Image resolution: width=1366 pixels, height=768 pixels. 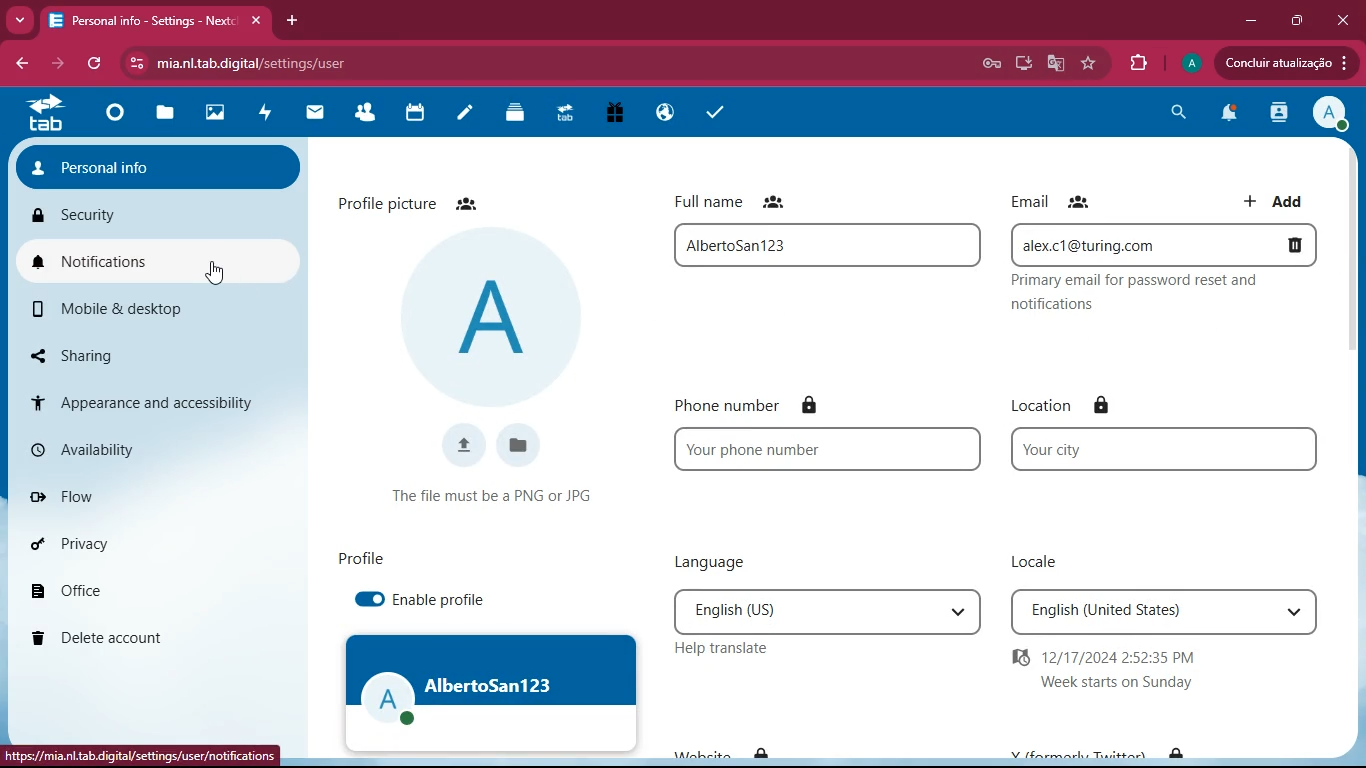 I want to click on refresh, so click(x=95, y=64).